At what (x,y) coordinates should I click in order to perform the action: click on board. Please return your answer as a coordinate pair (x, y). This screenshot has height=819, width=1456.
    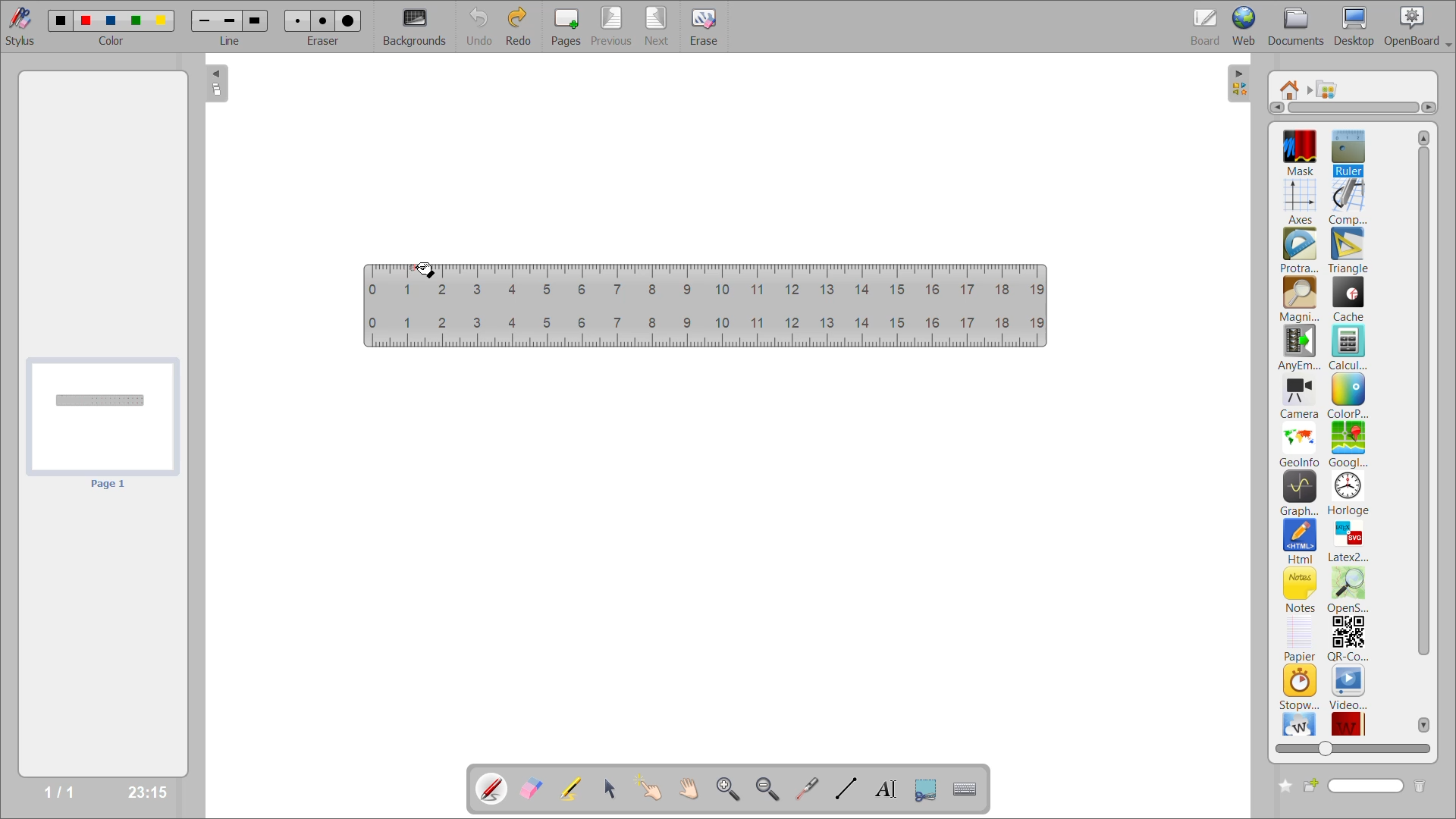
    Looking at the image, I should click on (1208, 26).